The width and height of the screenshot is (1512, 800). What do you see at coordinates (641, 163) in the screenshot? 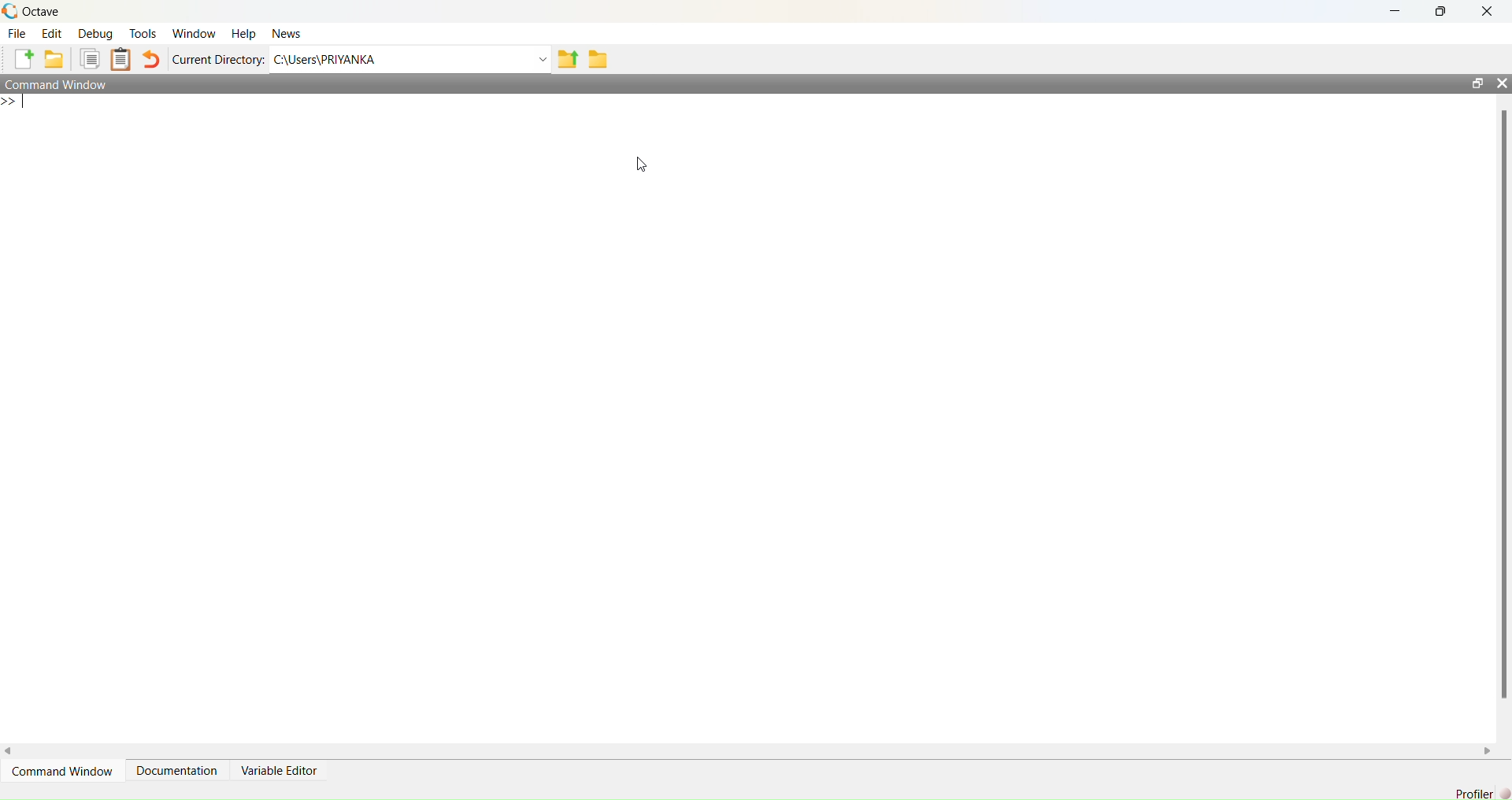
I see `cursor` at bounding box center [641, 163].